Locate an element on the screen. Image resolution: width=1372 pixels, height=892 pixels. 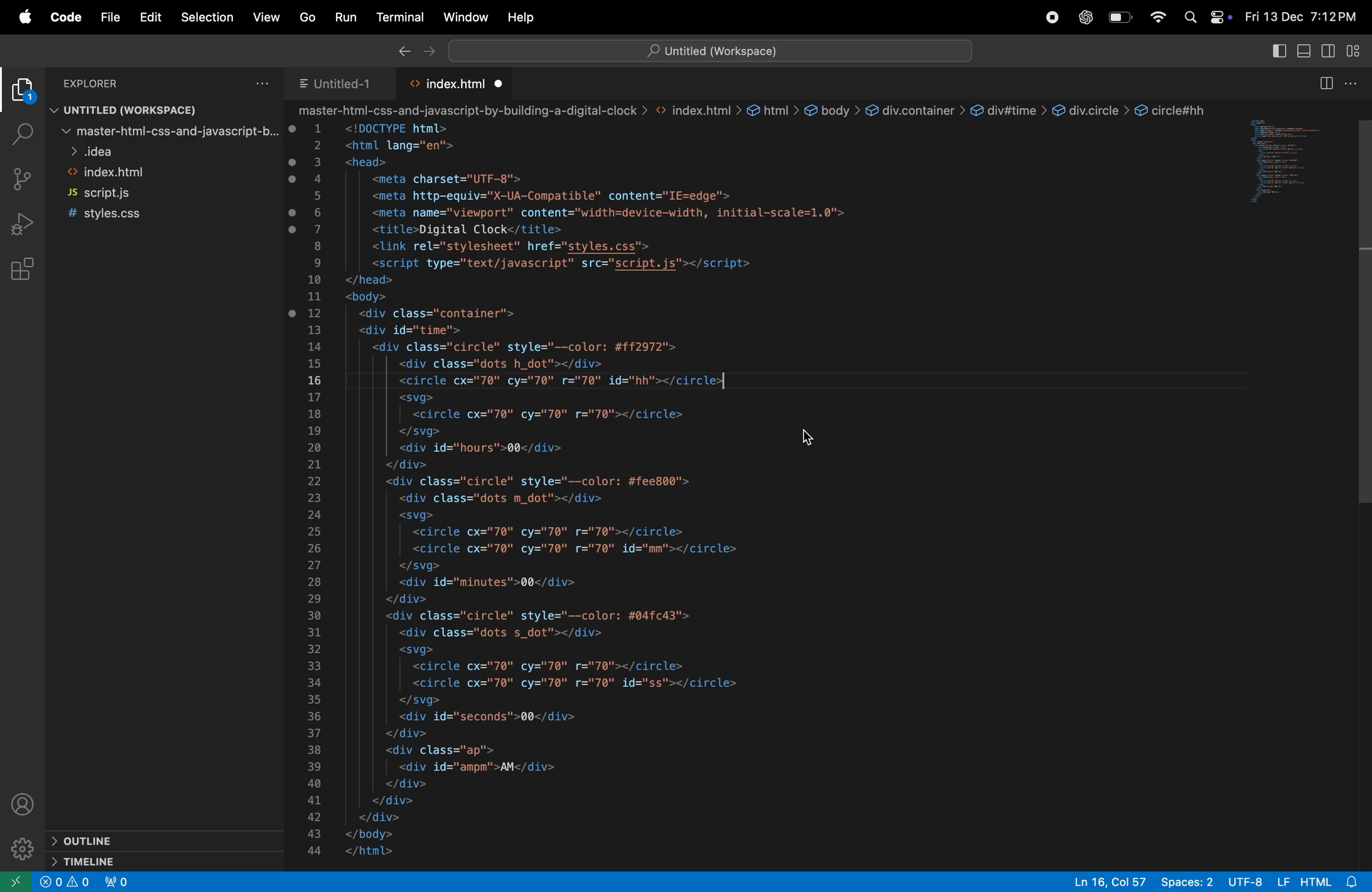
extension is located at coordinates (22, 93).